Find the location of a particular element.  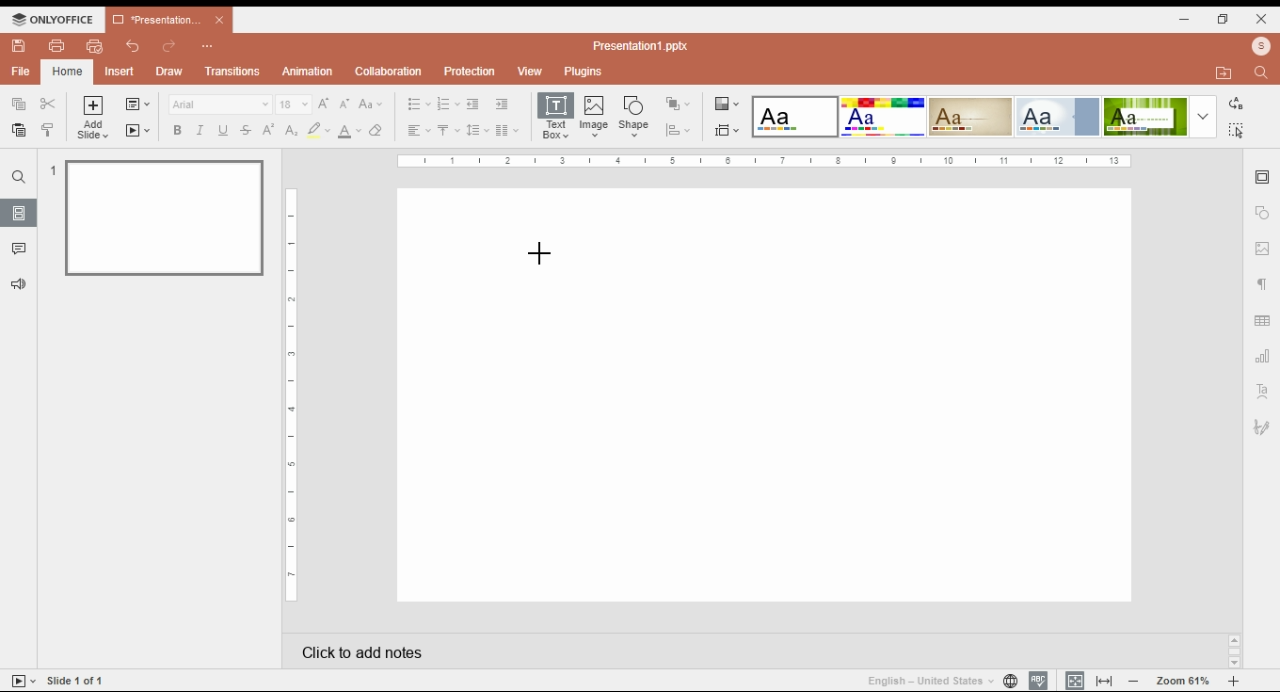

home is located at coordinates (66, 71).